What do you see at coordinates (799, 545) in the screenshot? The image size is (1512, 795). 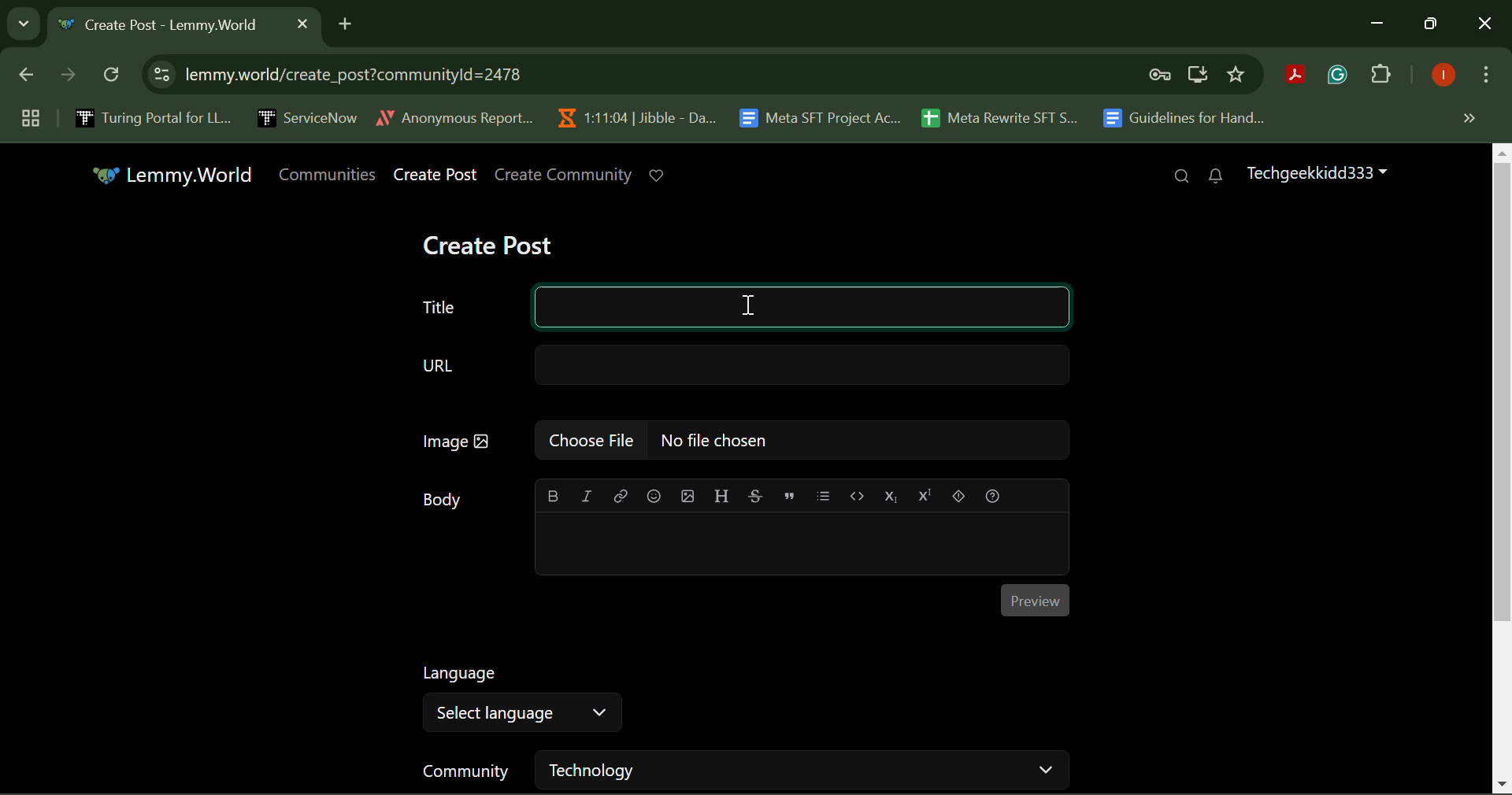 I see `Post Body Text Box ` at bounding box center [799, 545].